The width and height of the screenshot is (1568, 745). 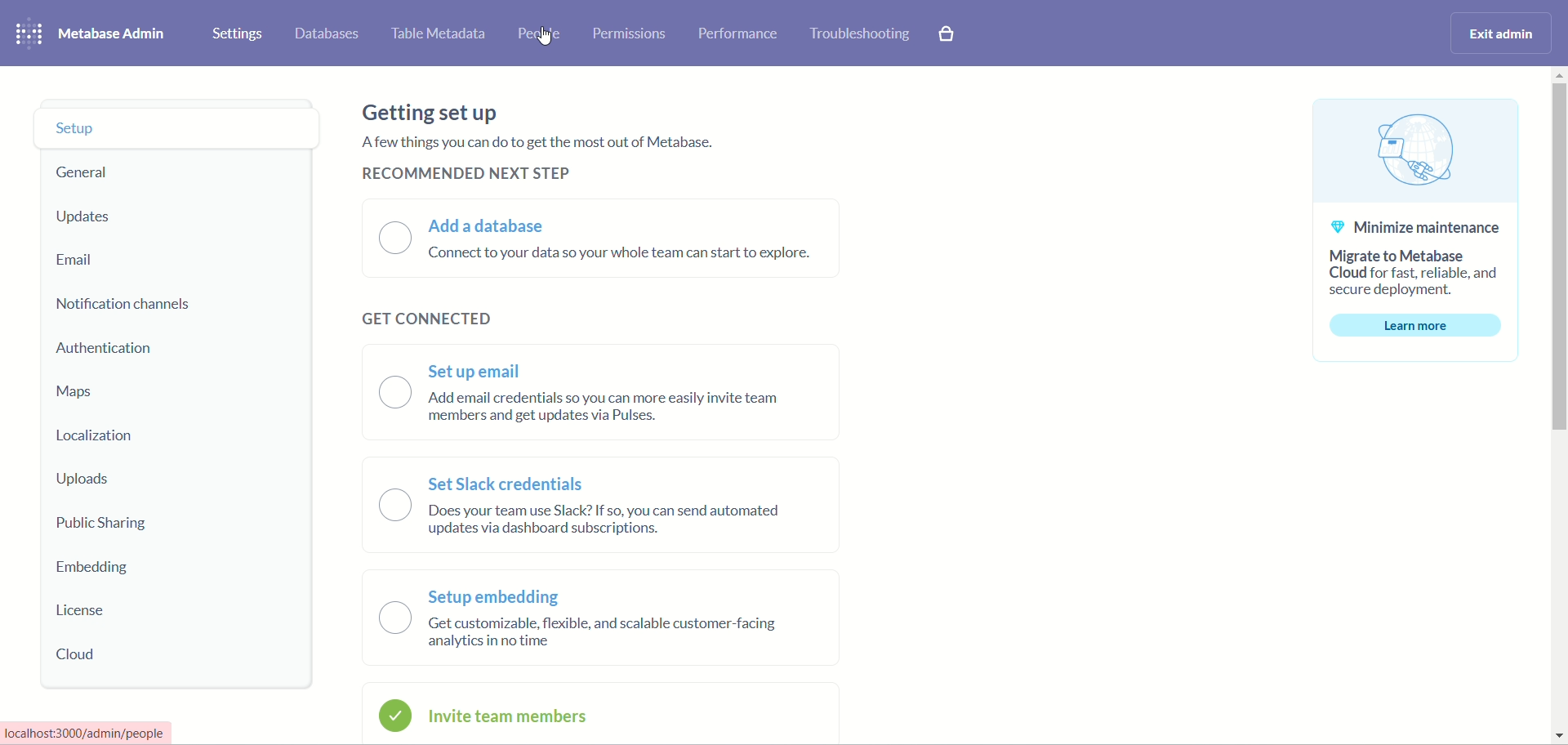 I want to click on settings, so click(x=238, y=34).